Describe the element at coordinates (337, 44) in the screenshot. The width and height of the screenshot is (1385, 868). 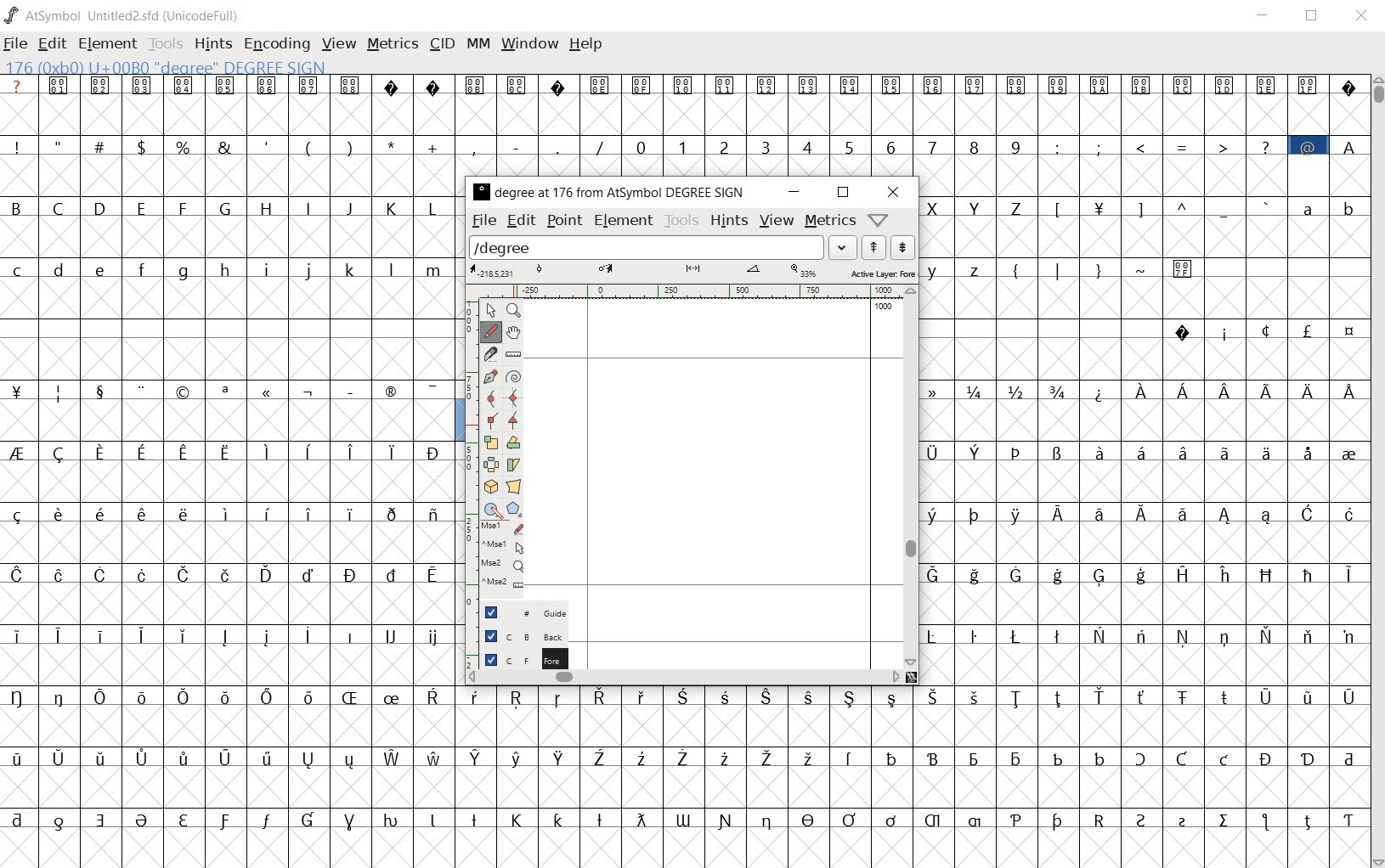
I see `view` at that location.